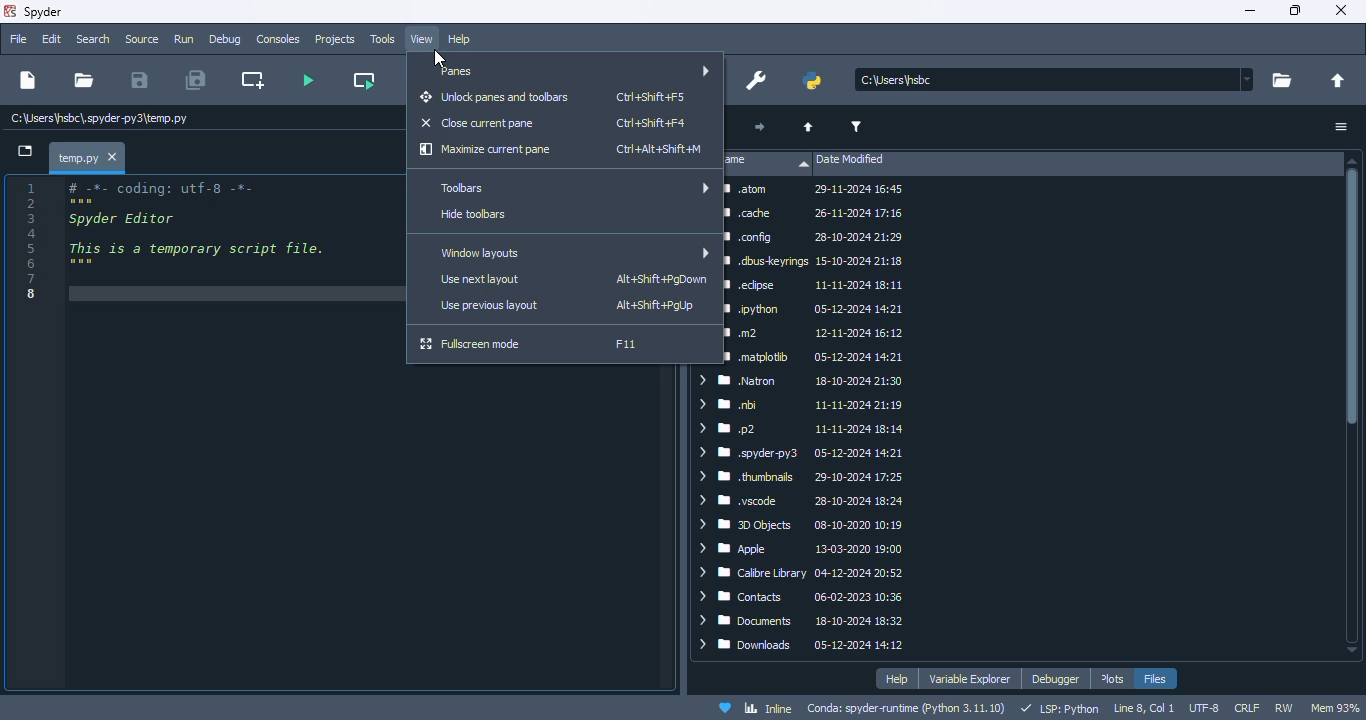 Image resolution: width=1366 pixels, height=720 pixels. I want to click on files, so click(1156, 679).